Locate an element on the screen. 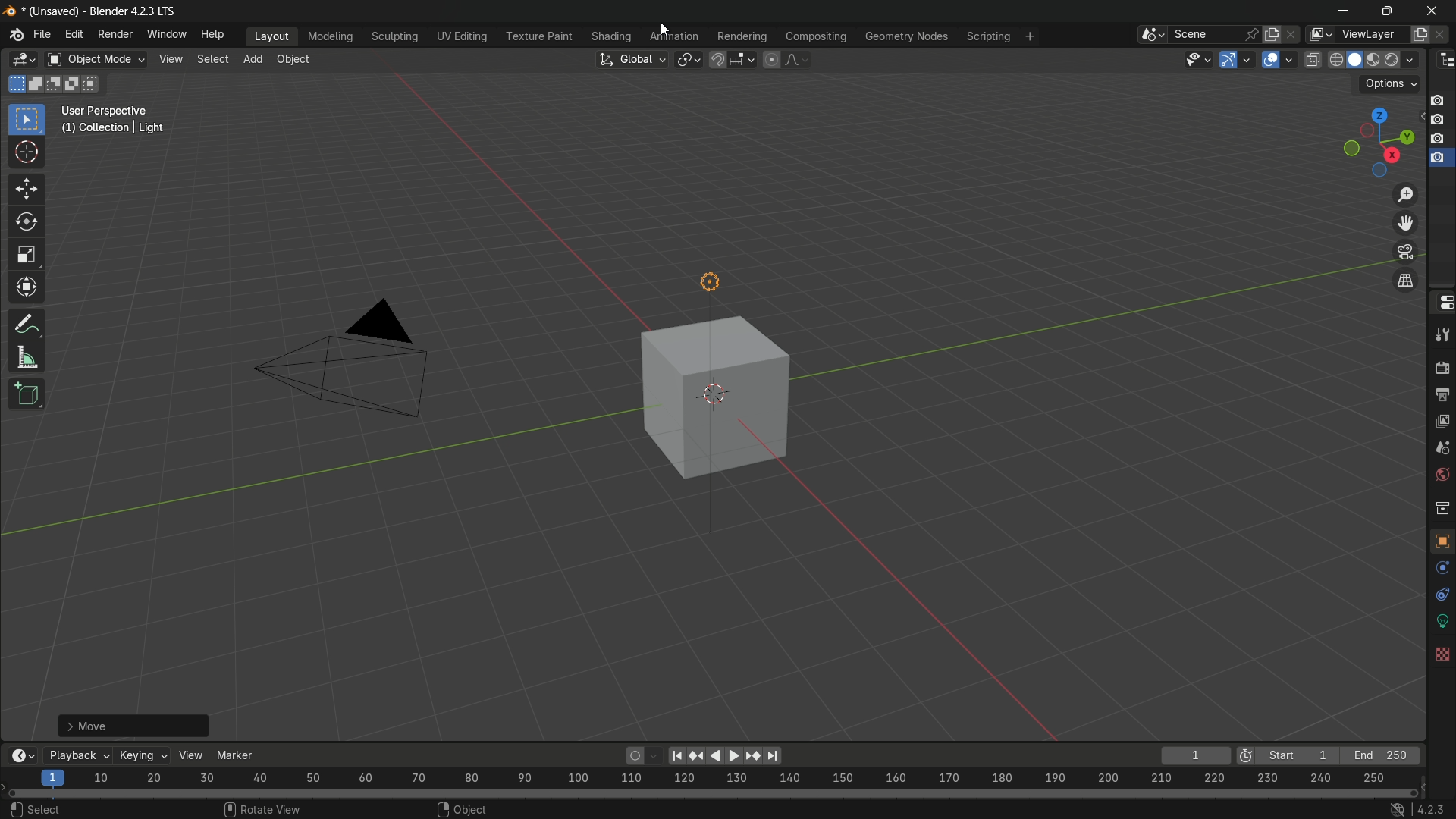 The height and width of the screenshot is (819, 1456). preset viewpoint is located at coordinates (1368, 140).